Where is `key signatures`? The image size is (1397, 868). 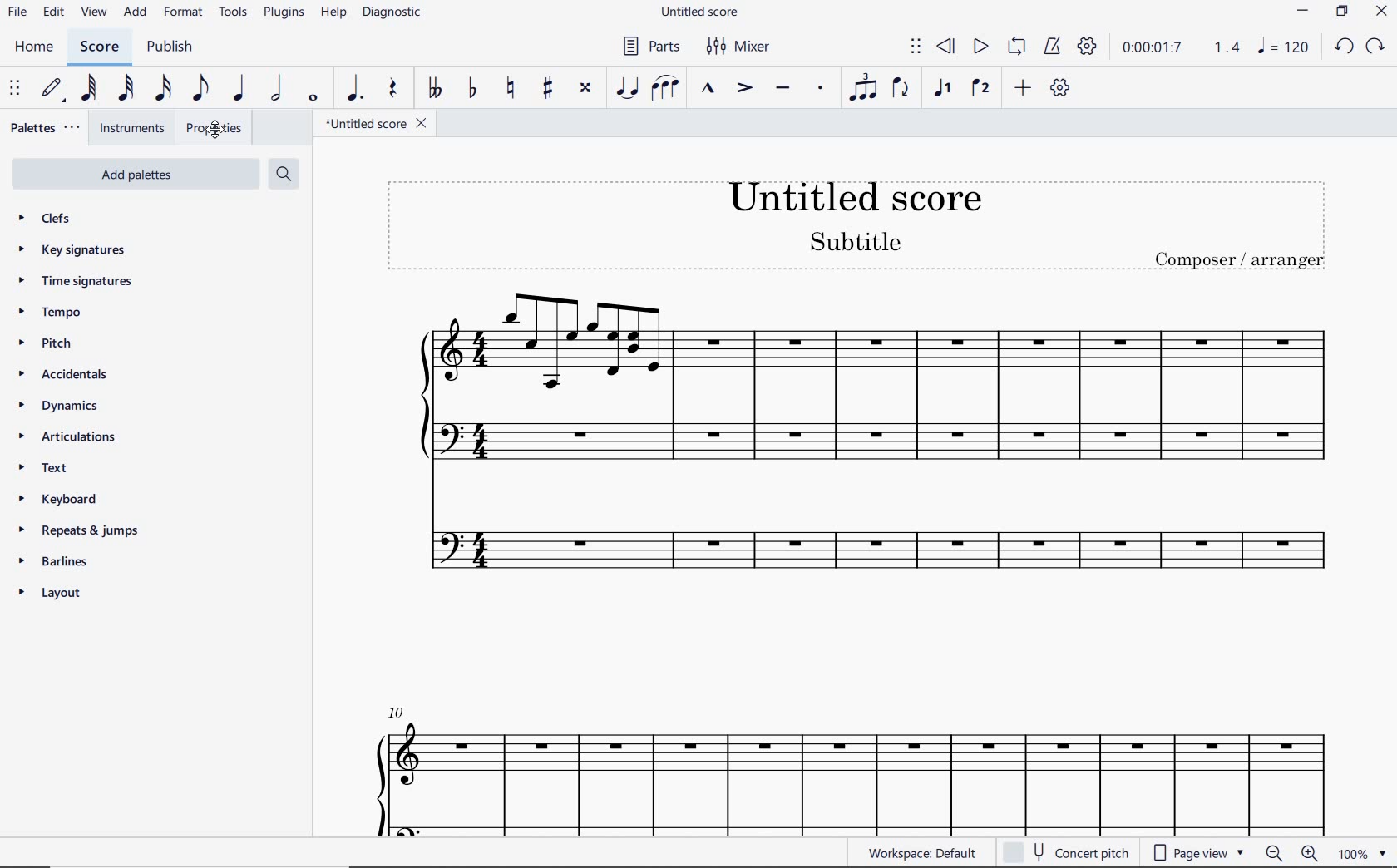
key signatures is located at coordinates (74, 252).